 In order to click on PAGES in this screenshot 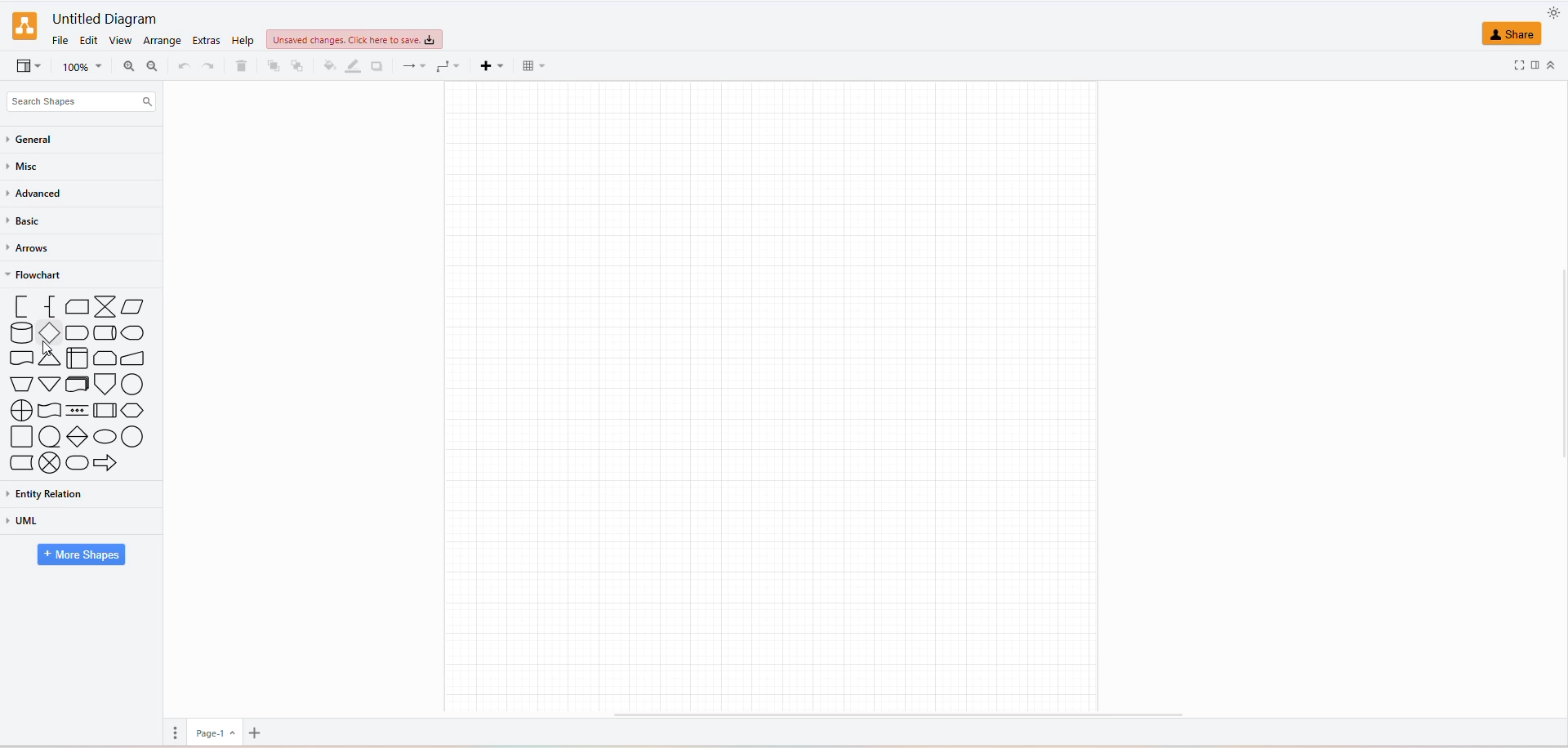, I will do `click(171, 732)`.